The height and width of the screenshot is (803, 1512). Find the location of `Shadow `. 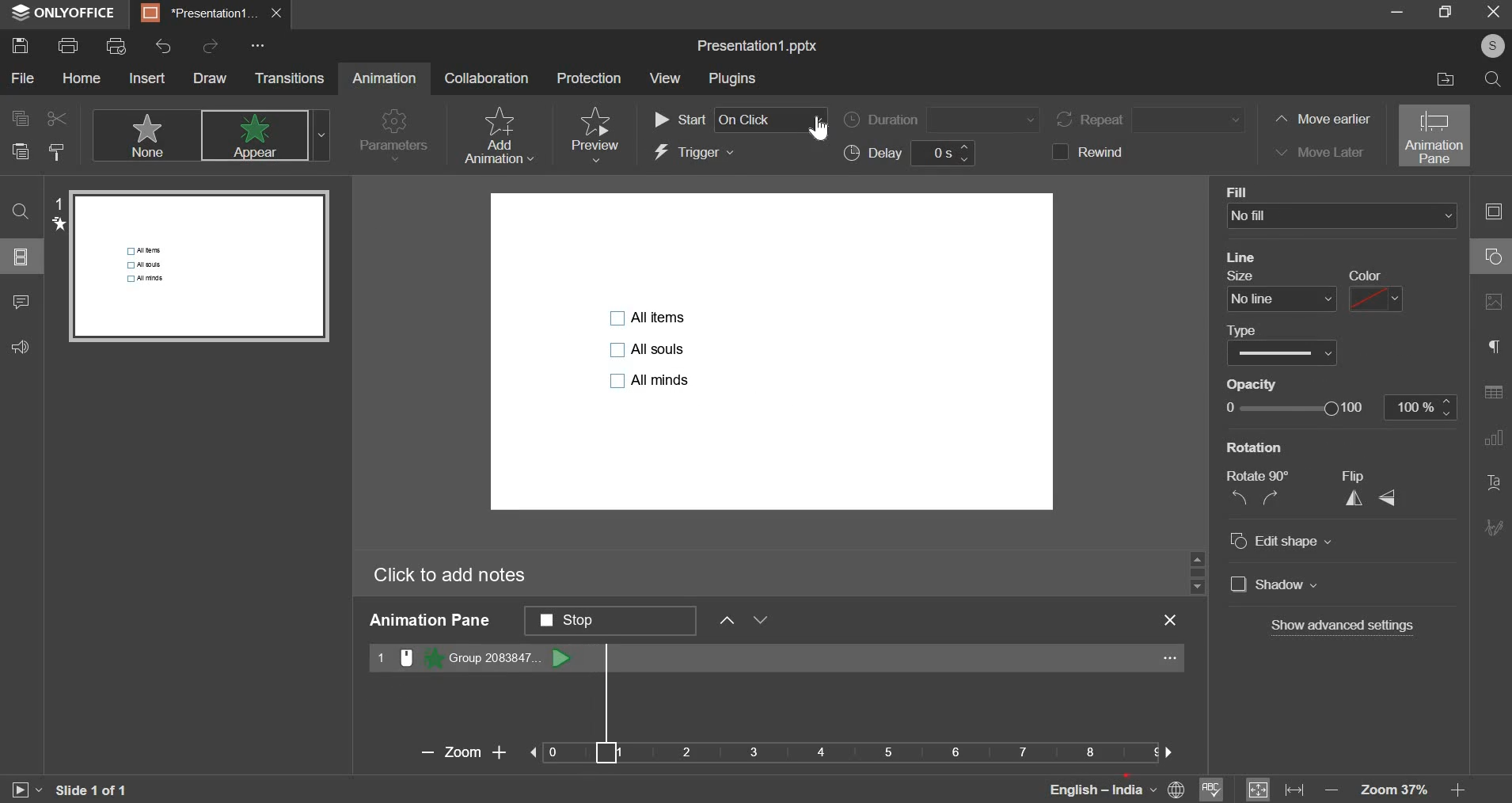

Shadow  is located at coordinates (1286, 585).